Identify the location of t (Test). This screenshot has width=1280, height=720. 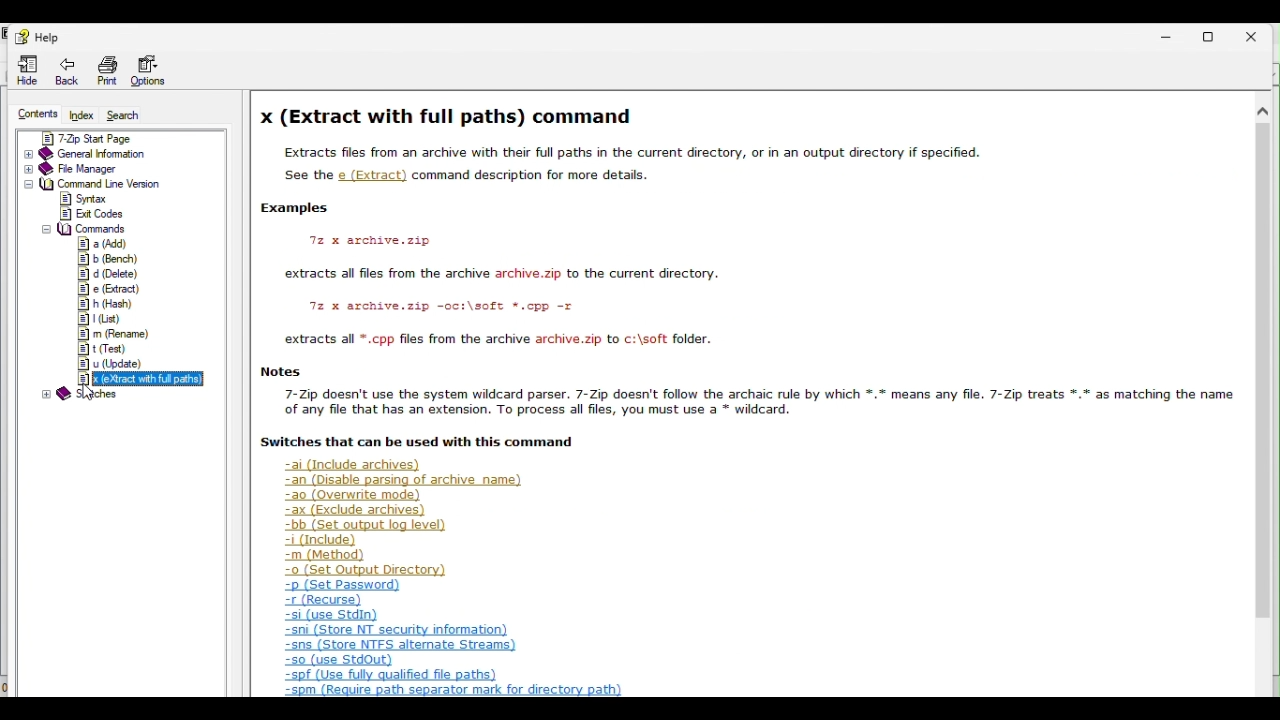
(113, 349).